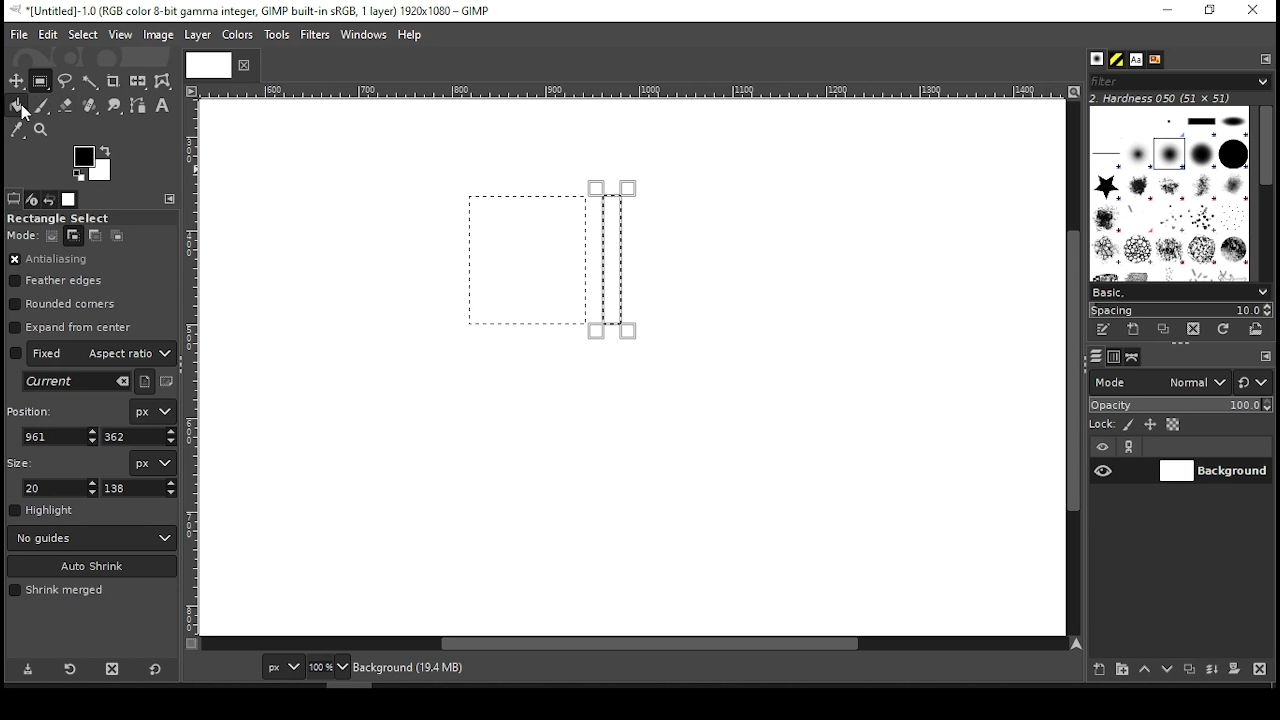  Describe the element at coordinates (1177, 82) in the screenshot. I see `filters` at that location.